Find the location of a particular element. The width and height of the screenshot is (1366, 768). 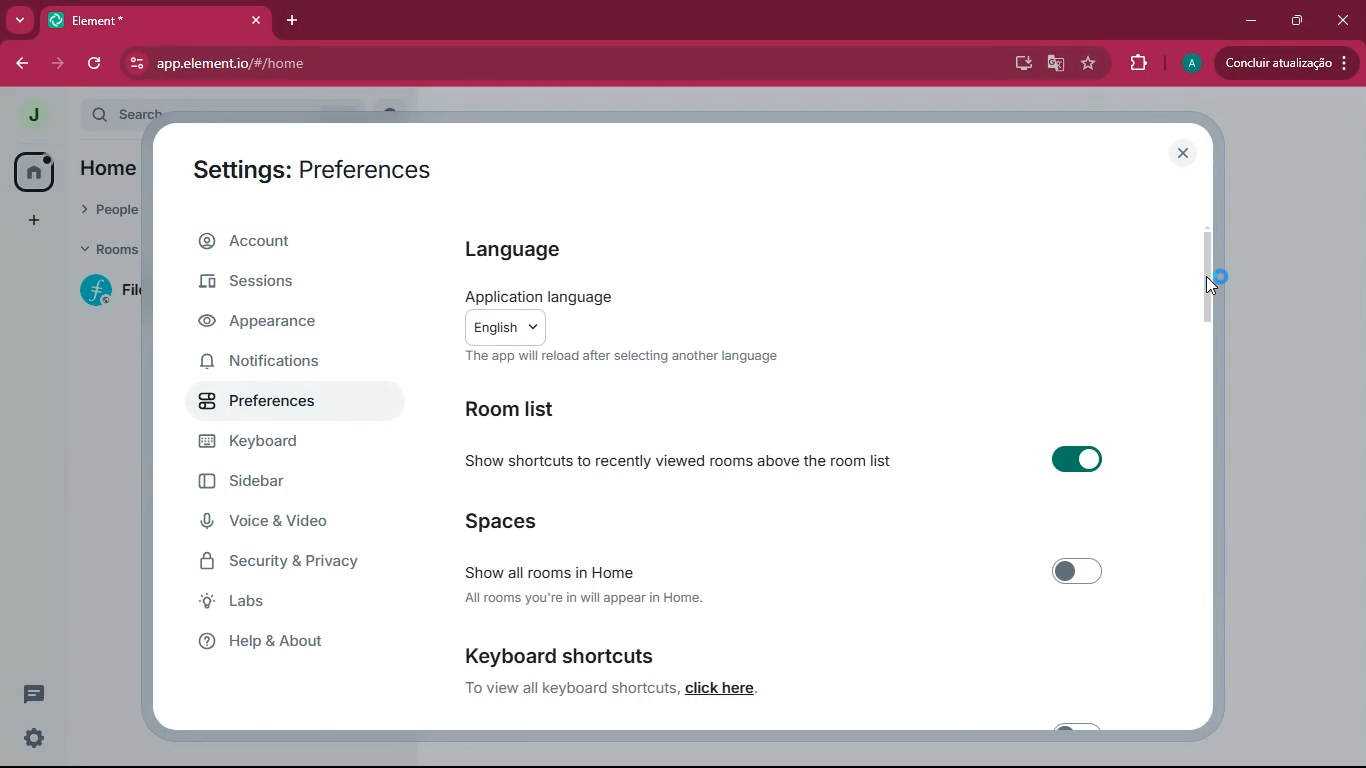

scroll bar  is located at coordinates (1211, 273).